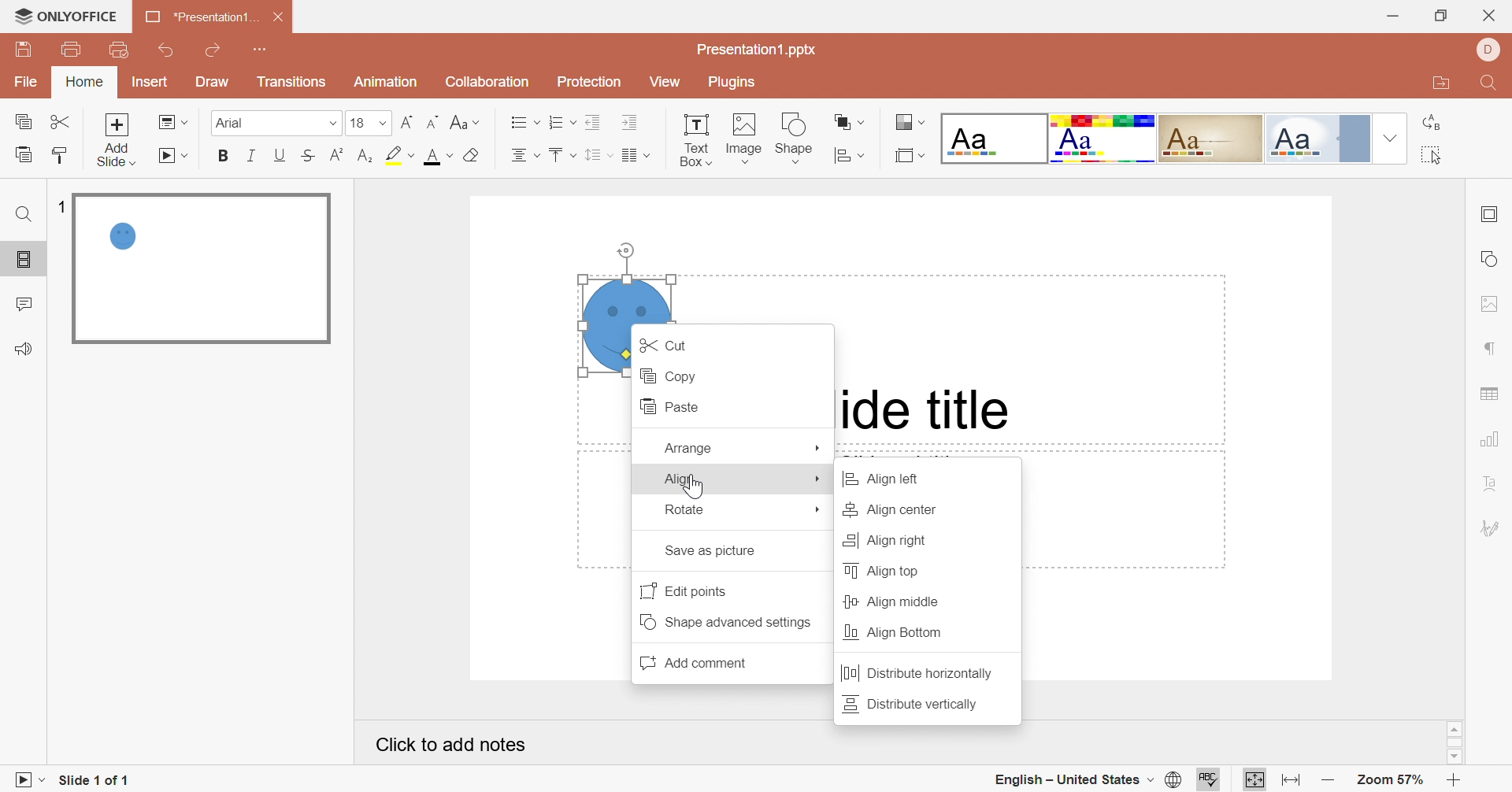 Image resolution: width=1512 pixels, height=792 pixels. Describe the element at coordinates (1174, 781) in the screenshot. I see `Set document language` at that location.